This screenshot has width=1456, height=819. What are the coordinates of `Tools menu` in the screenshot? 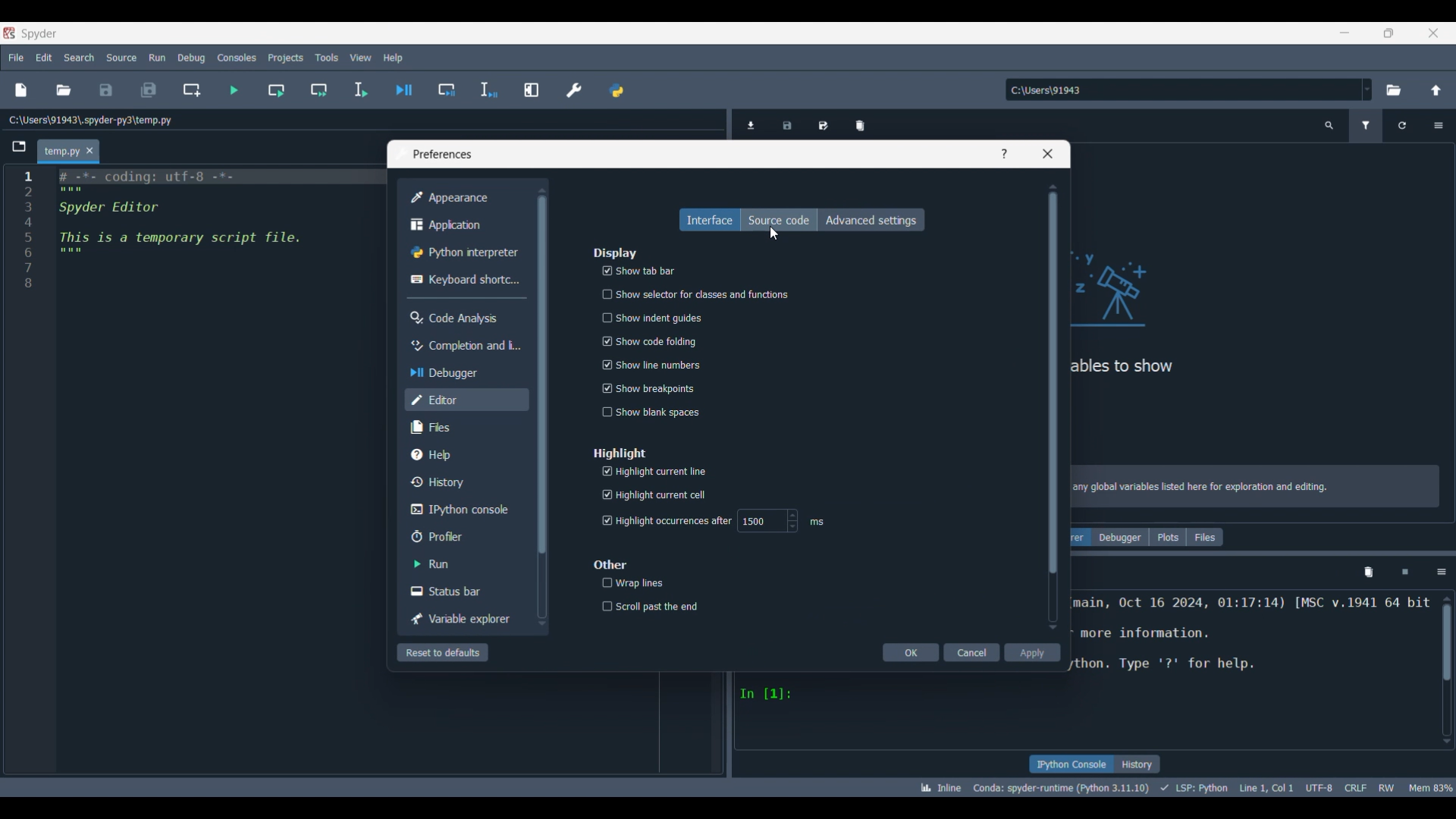 It's located at (327, 57).